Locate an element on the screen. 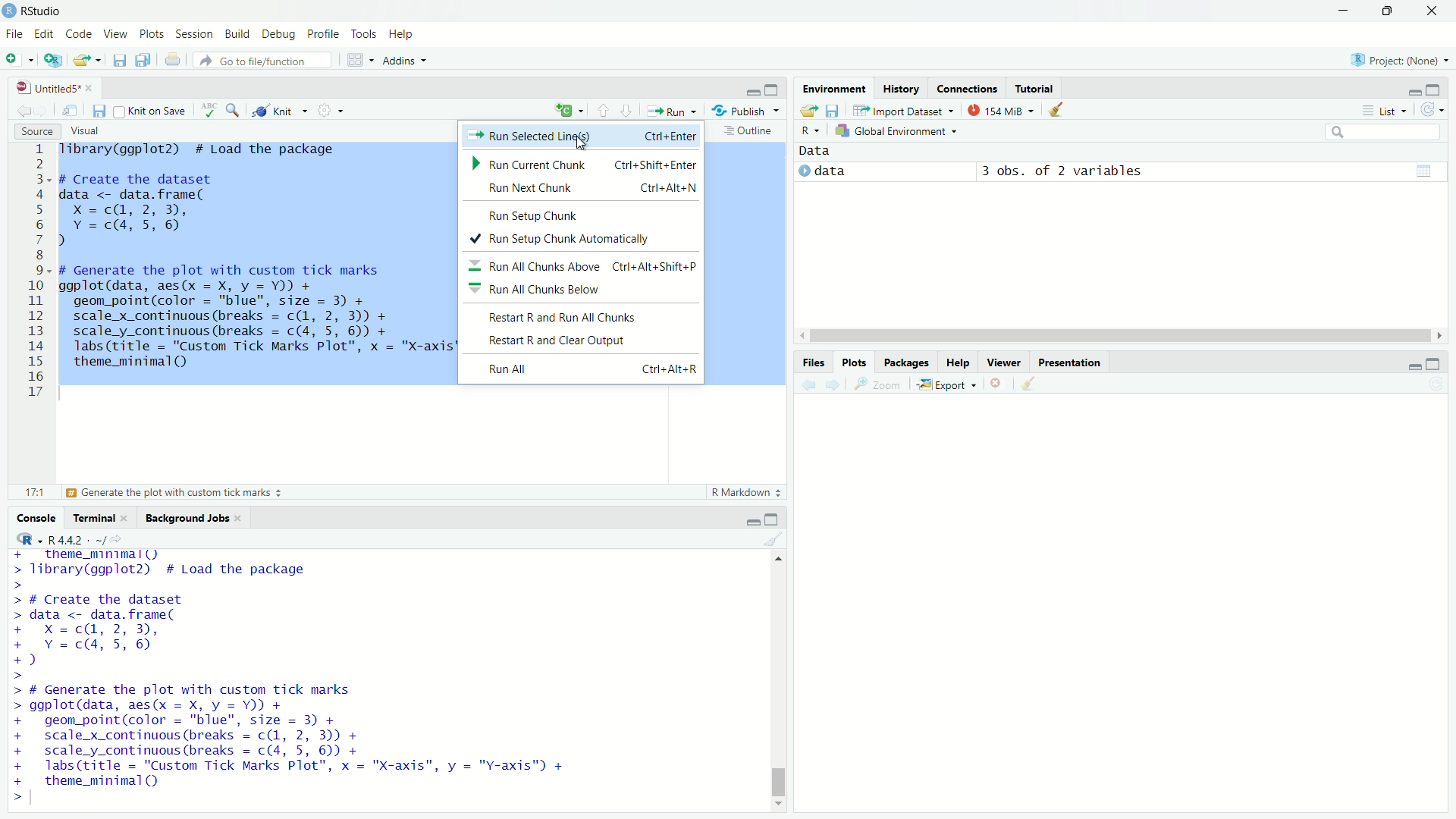 This screenshot has height=819, width=1456. move down is located at coordinates (780, 805).